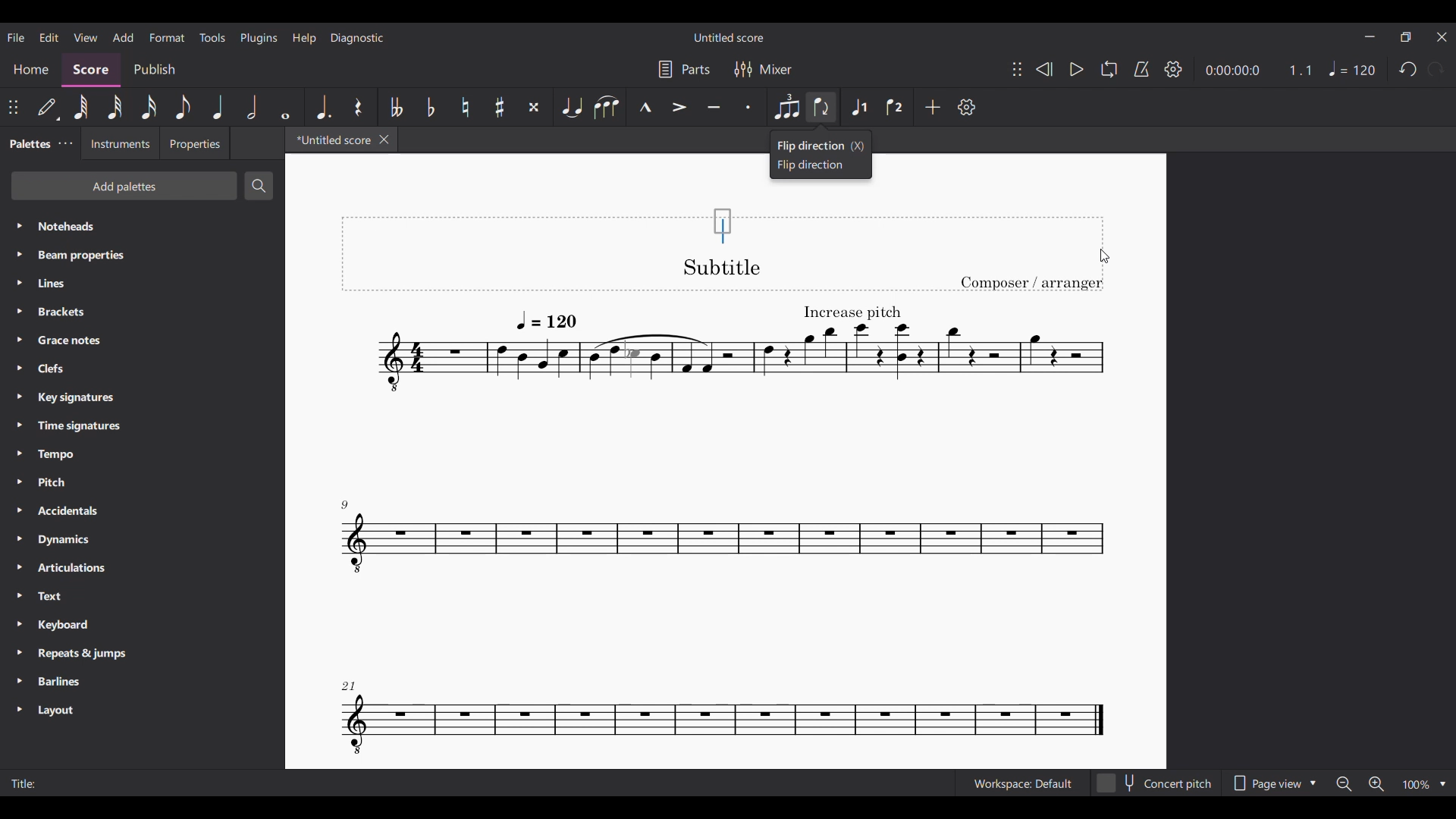 This screenshot has width=1456, height=819. I want to click on Tools menu, so click(212, 37).